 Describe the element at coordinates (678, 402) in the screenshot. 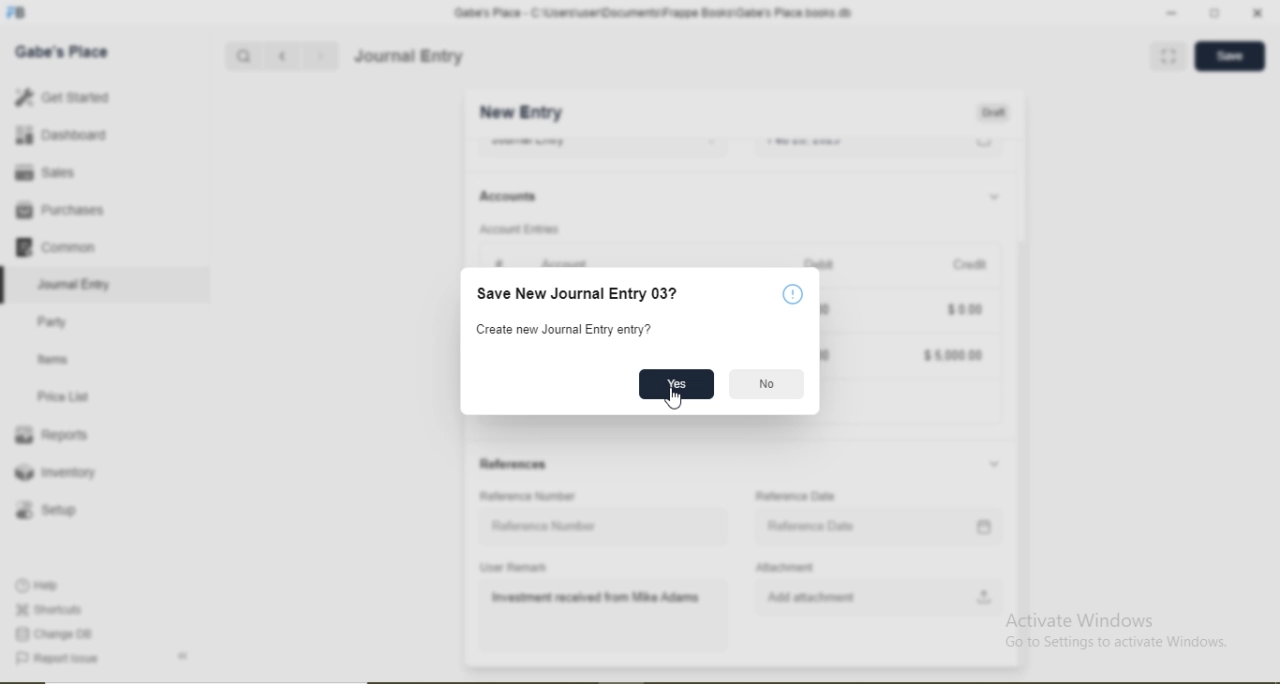

I see `Cursor` at that location.